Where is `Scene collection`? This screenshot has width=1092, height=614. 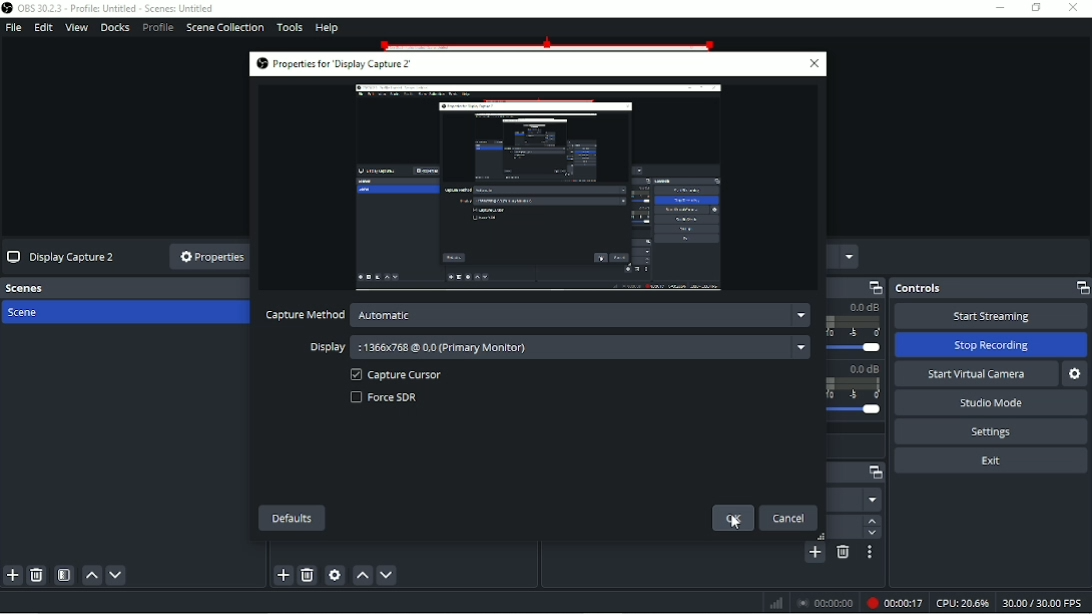
Scene collection is located at coordinates (224, 28).